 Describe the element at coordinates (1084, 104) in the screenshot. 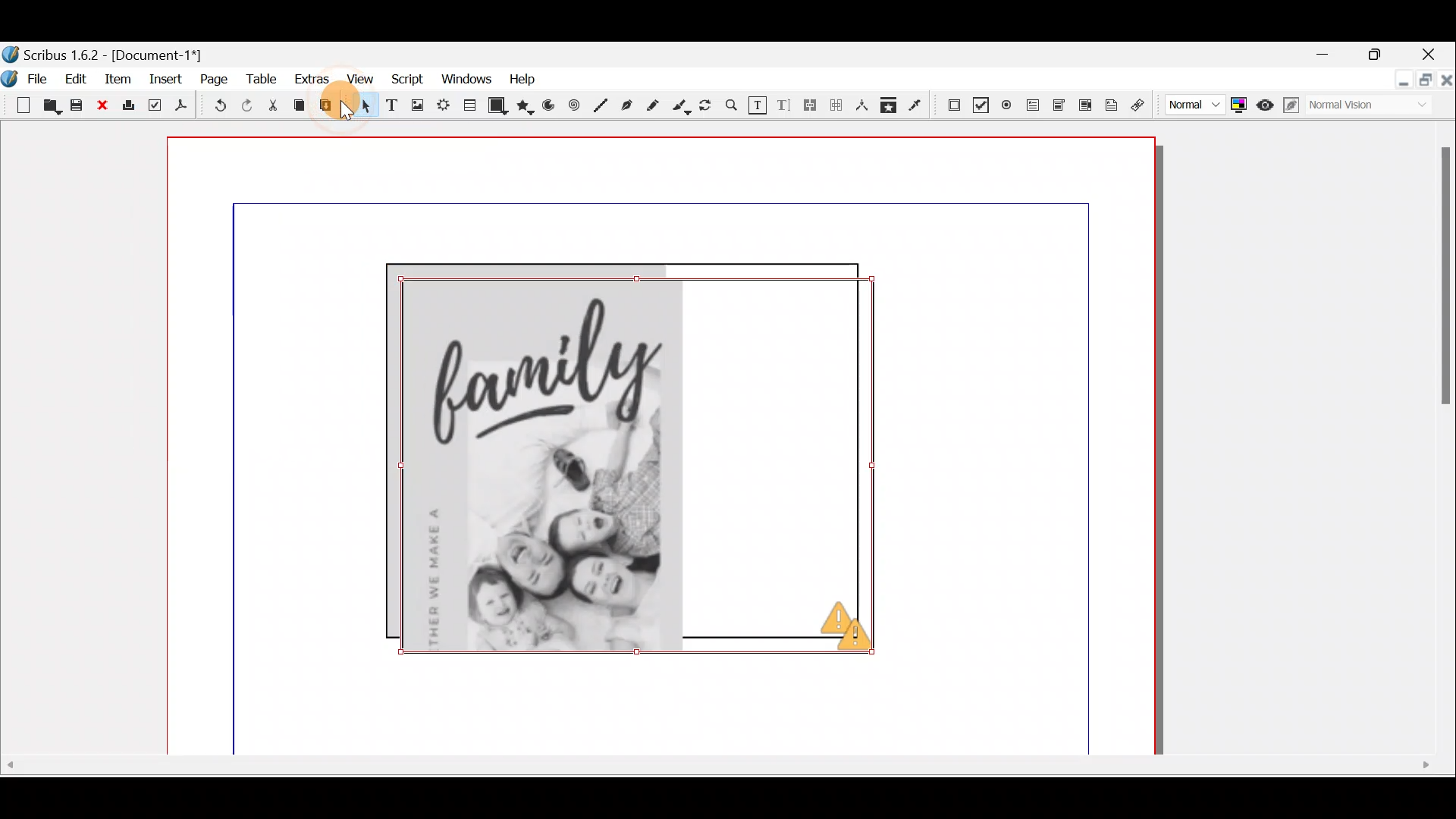

I see `PDF list box` at that location.